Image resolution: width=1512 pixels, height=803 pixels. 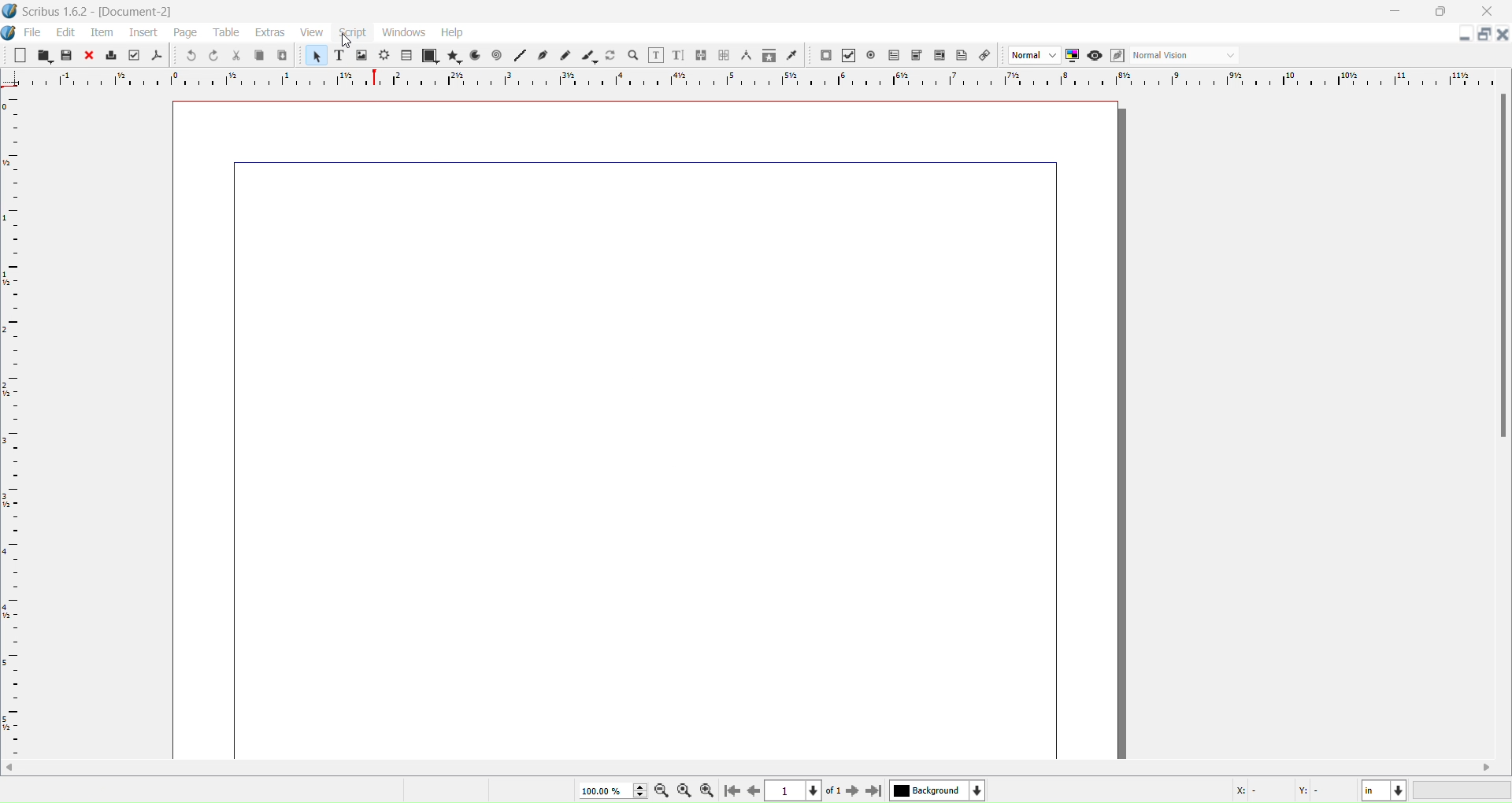 What do you see at coordinates (312, 31) in the screenshot?
I see `View` at bounding box center [312, 31].